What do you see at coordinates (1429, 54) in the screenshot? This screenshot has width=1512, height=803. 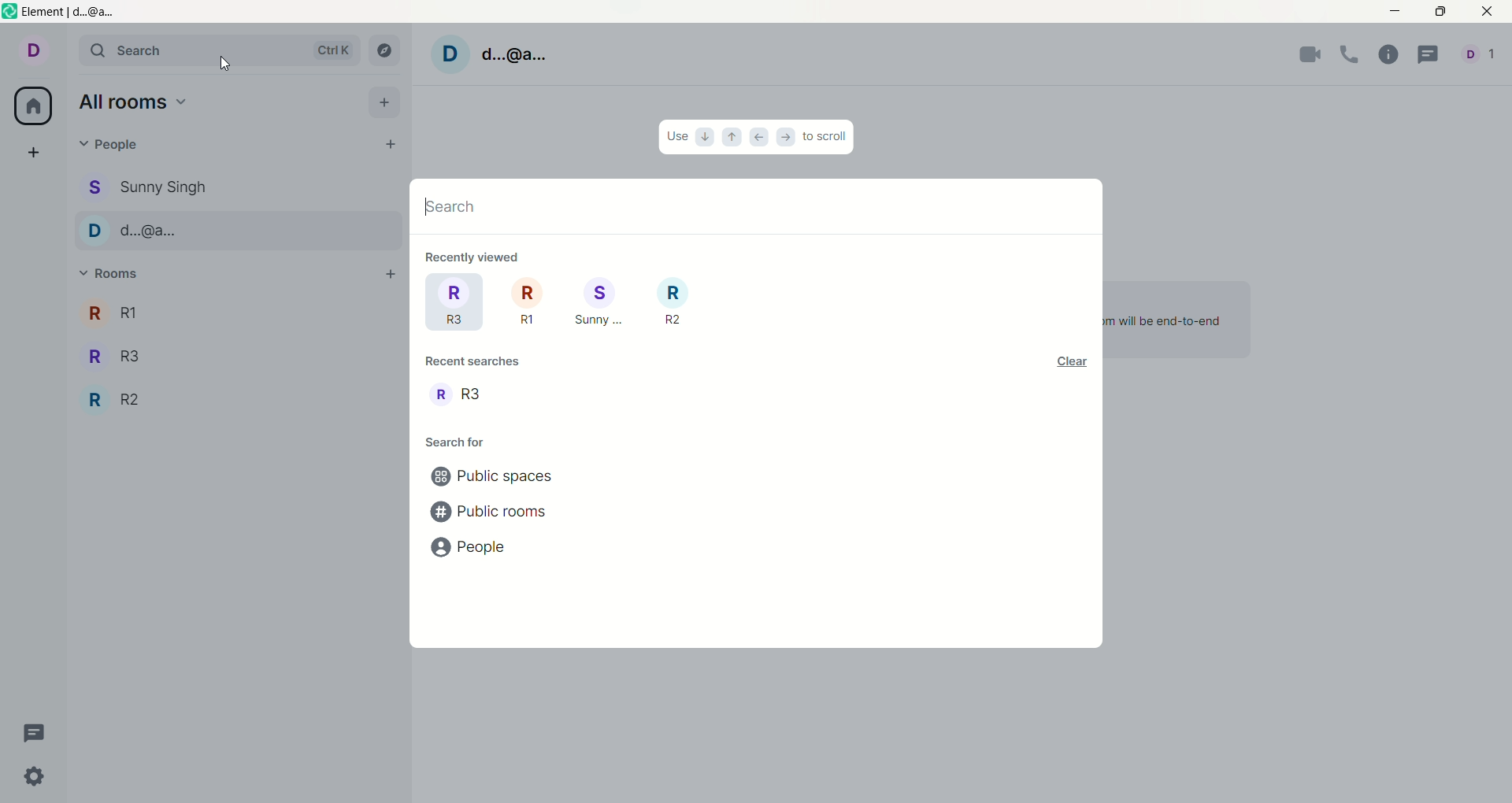 I see `threads` at bounding box center [1429, 54].